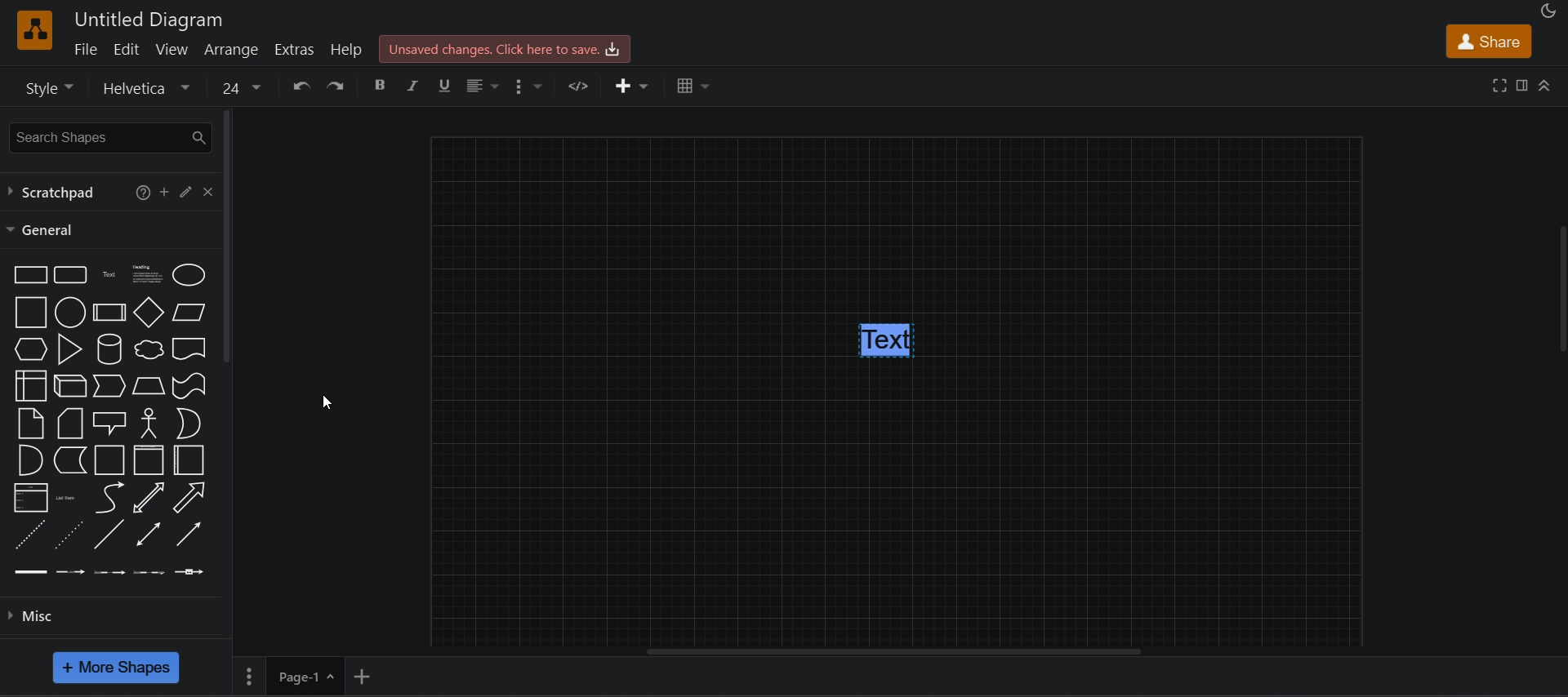 The width and height of the screenshot is (1568, 697). Describe the element at coordinates (186, 191) in the screenshot. I see `edit` at that location.